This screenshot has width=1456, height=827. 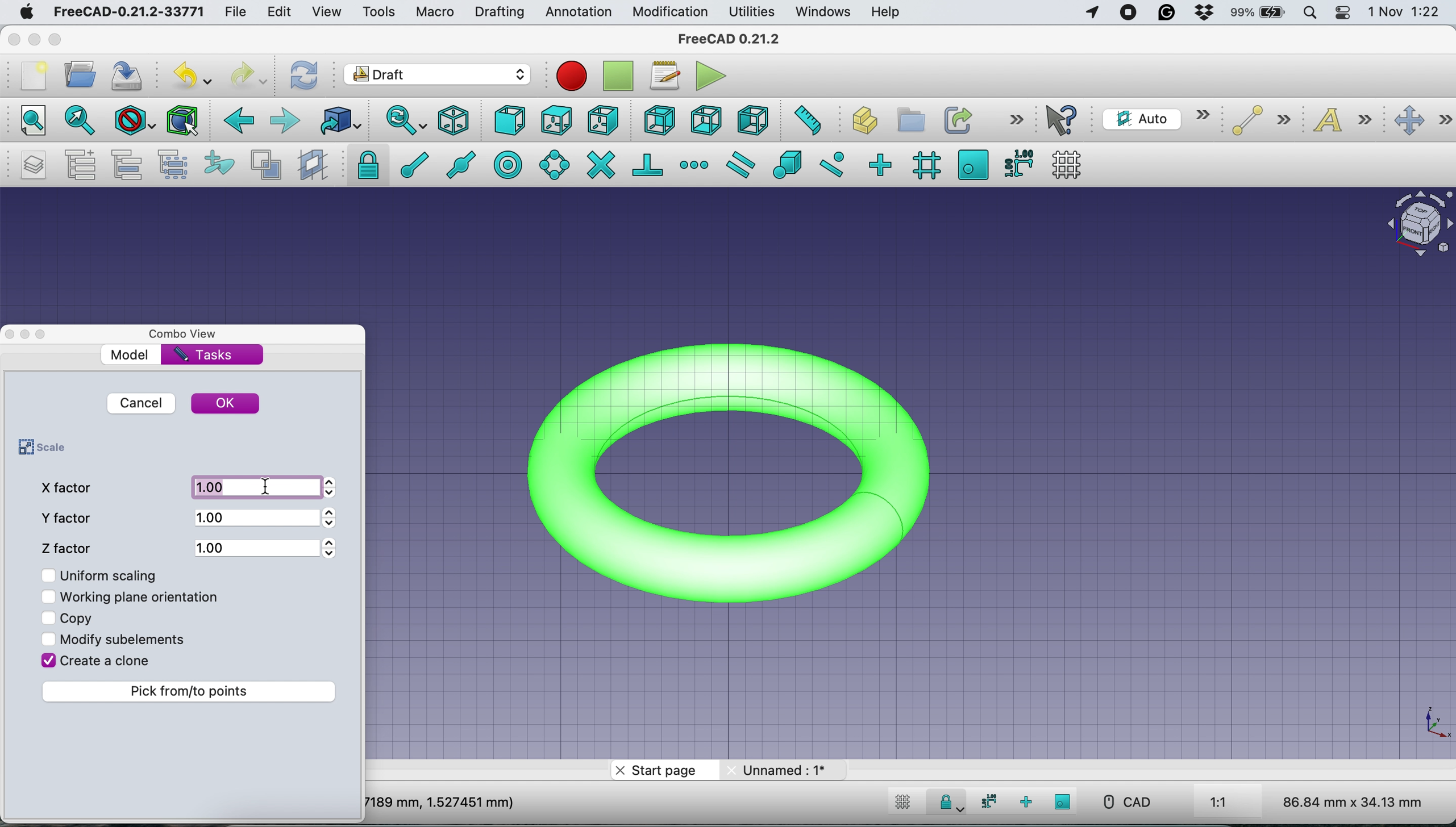 What do you see at coordinates (206, 356) in the screenshot?
I see `tasks` at bounding box center [206, 356].